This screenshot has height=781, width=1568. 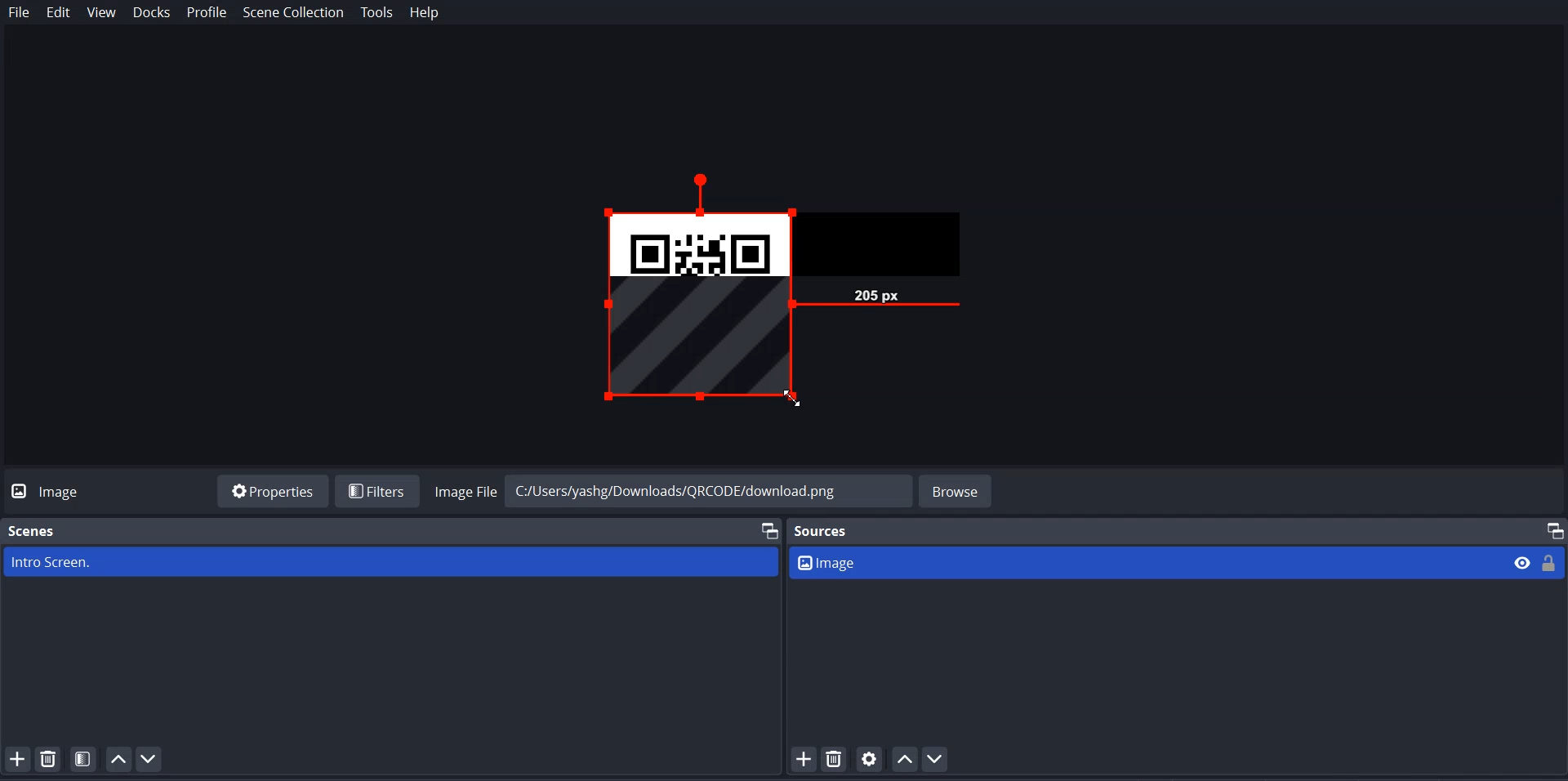 What do you see at coordinates (207, 13) in the screenshot?
I see `Profile` at bounding box center [207, 13].